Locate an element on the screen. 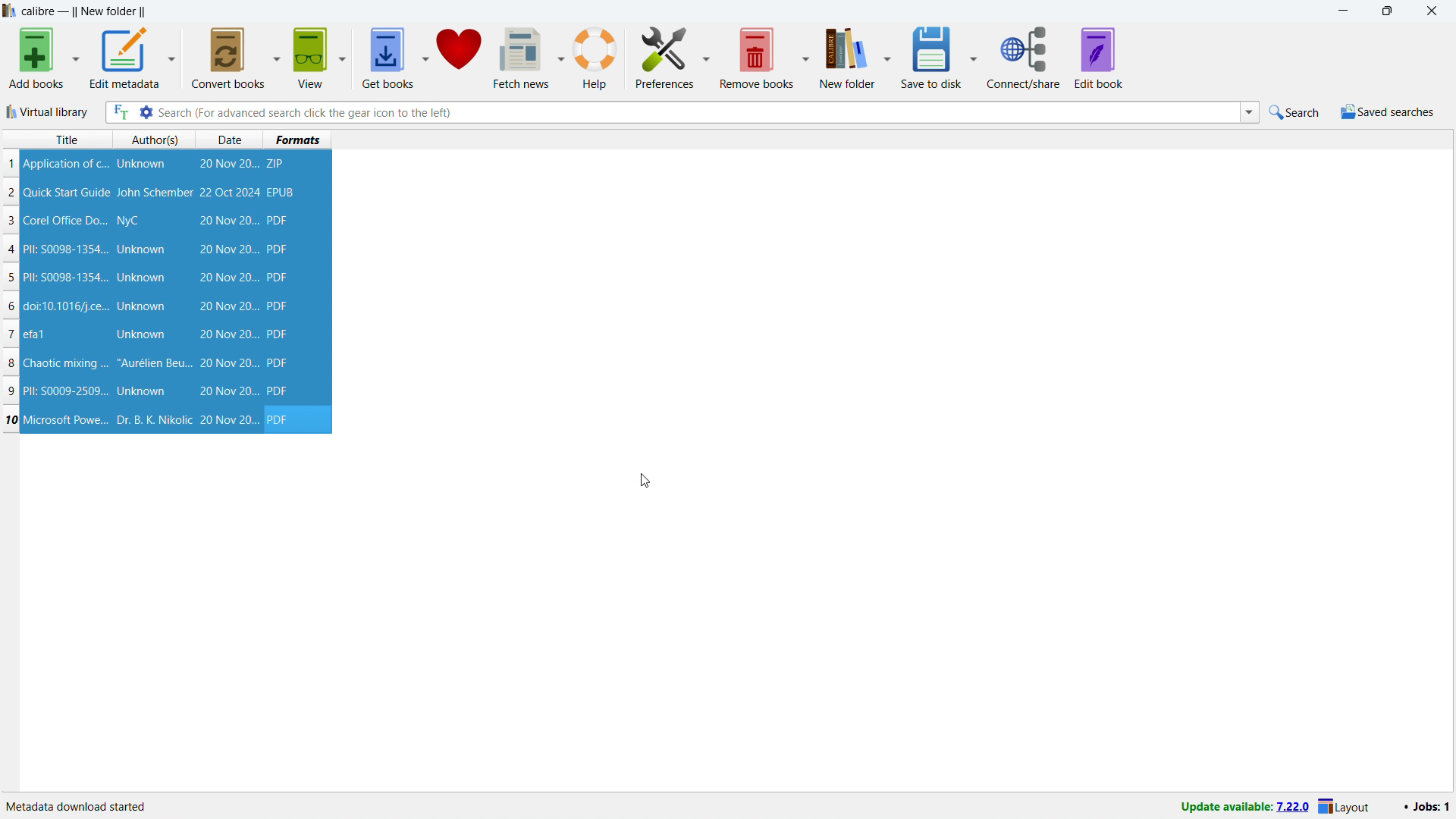  convert books is located at coordinates (230, 58).